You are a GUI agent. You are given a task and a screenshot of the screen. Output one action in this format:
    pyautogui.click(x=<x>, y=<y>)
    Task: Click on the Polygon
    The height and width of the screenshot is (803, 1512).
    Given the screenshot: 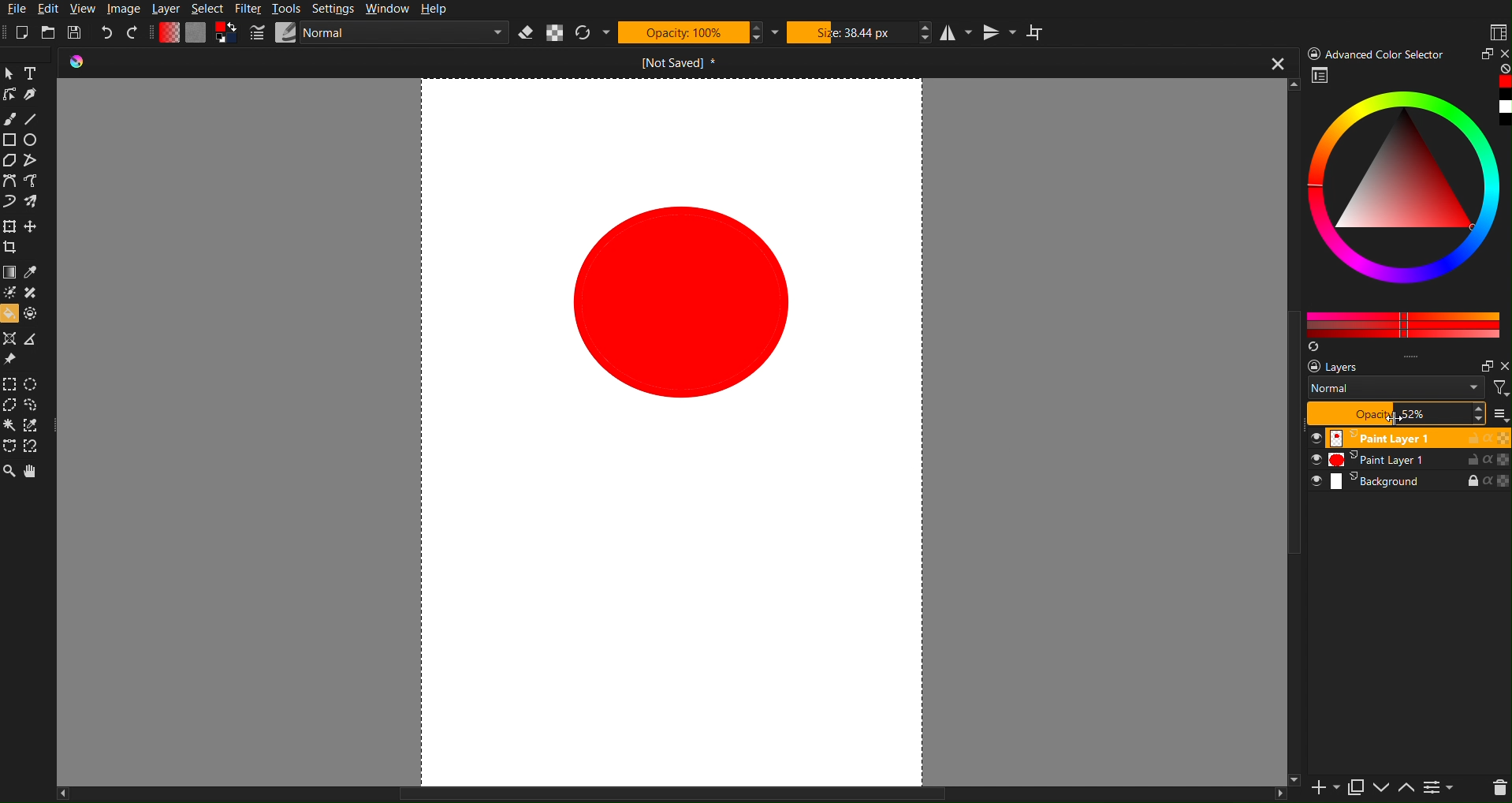 What is the action you would take?
    pyautogui.click(x=10, y=160)
    